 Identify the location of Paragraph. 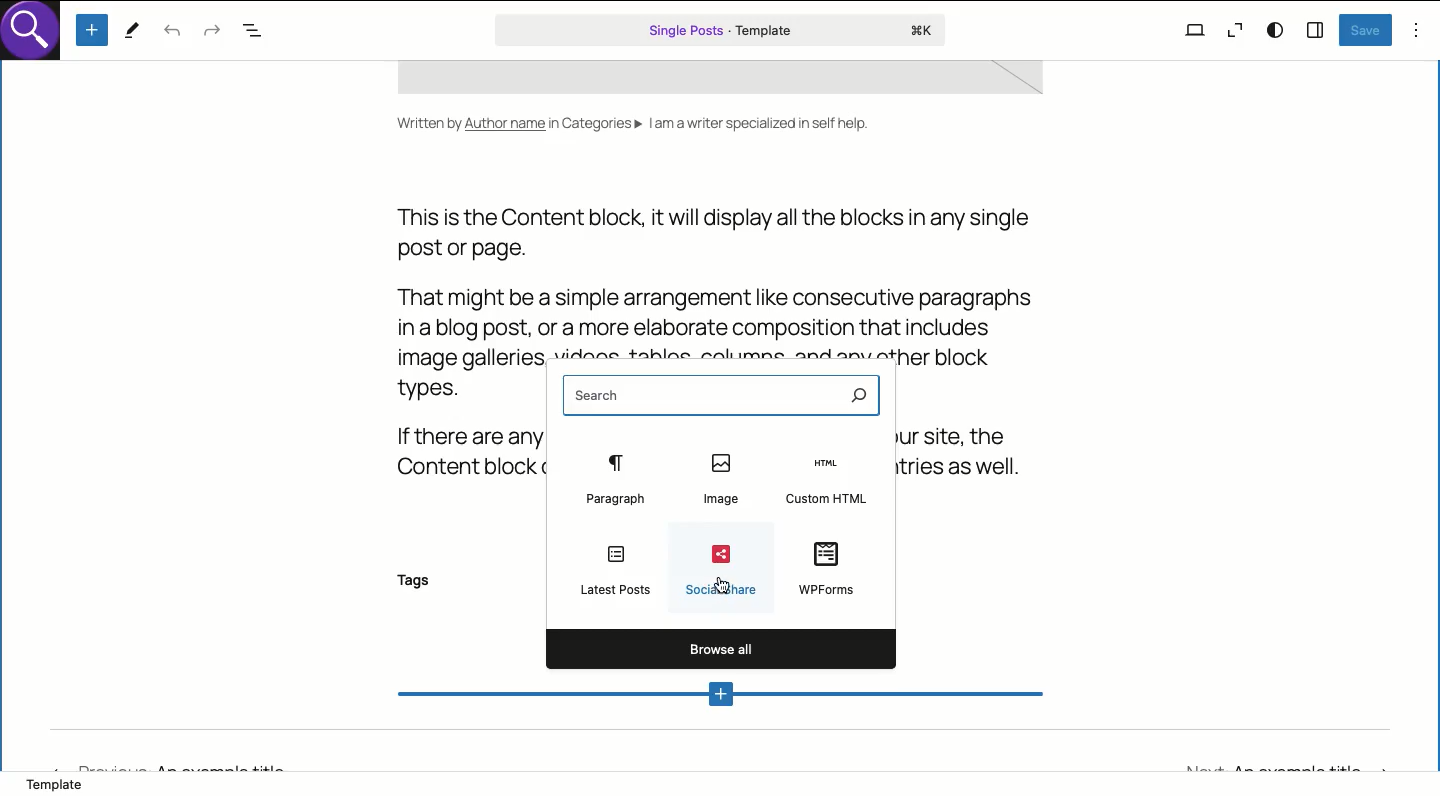
(618, 482).